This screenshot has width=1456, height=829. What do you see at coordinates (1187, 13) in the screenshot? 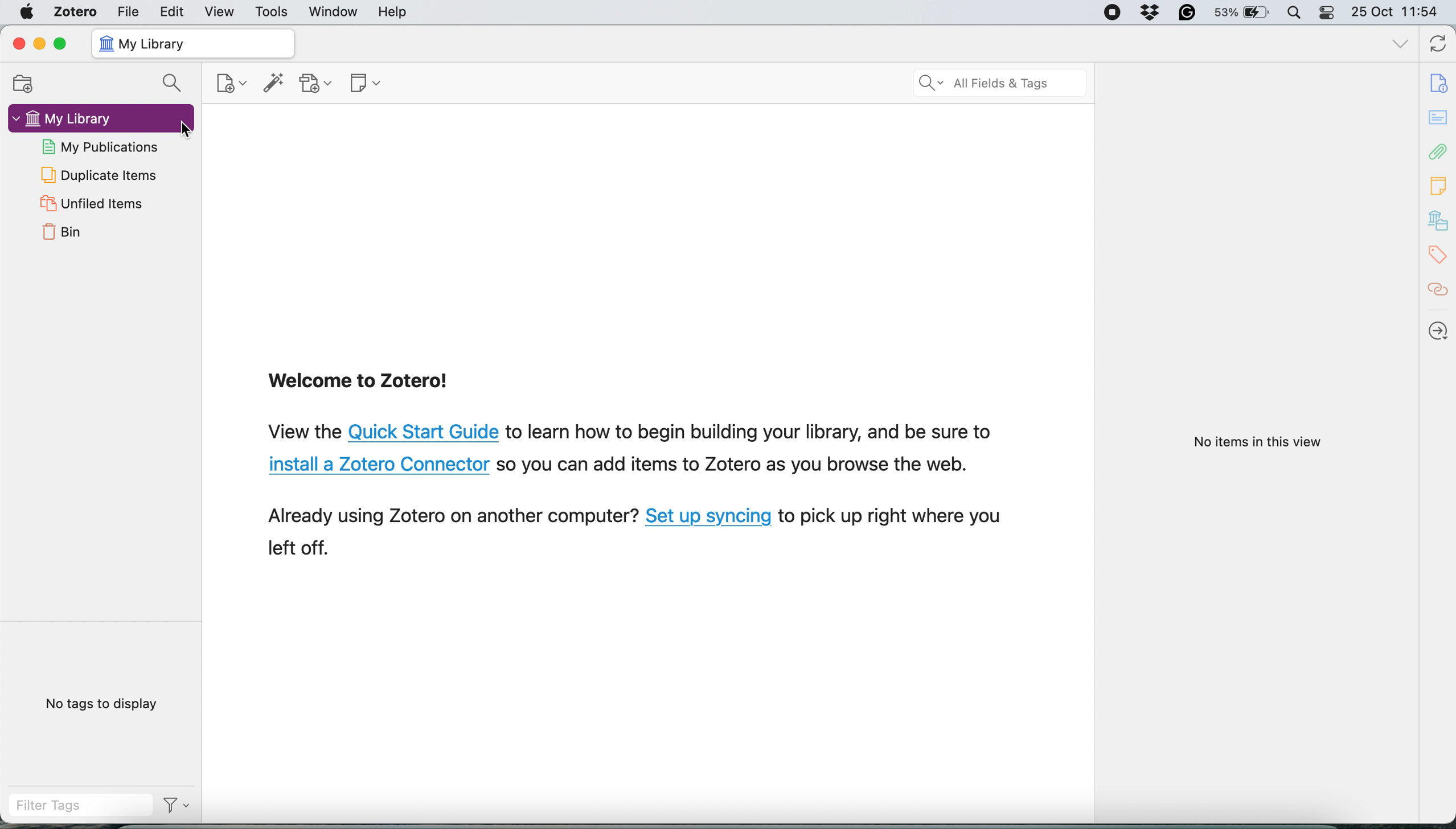
I see `grammarly` at bounding box center [1187, 13].